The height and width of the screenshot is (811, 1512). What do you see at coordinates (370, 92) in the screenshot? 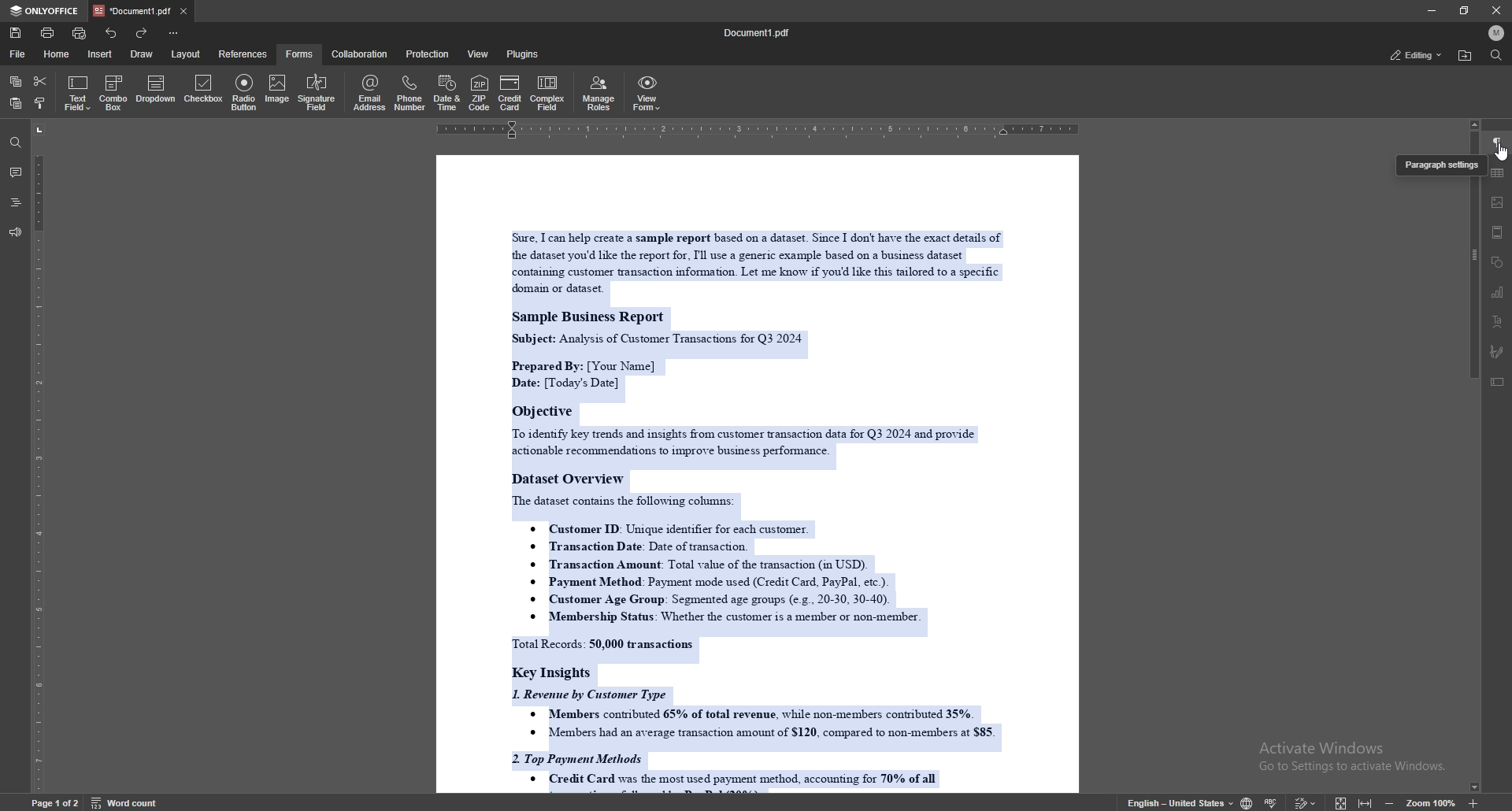
I see `email address` at bounding box center [370, 92].